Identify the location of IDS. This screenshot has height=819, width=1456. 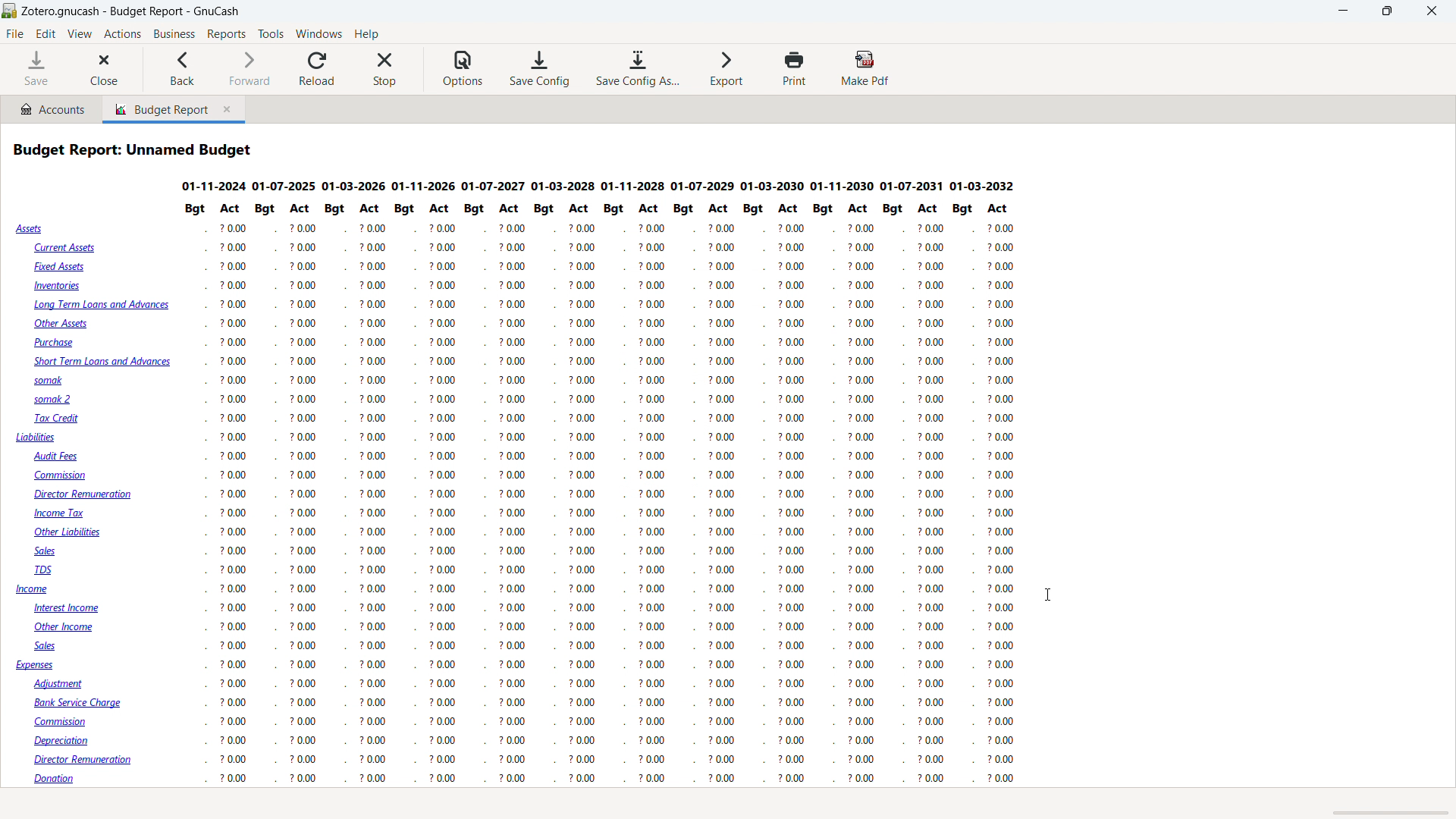
(46, 571).